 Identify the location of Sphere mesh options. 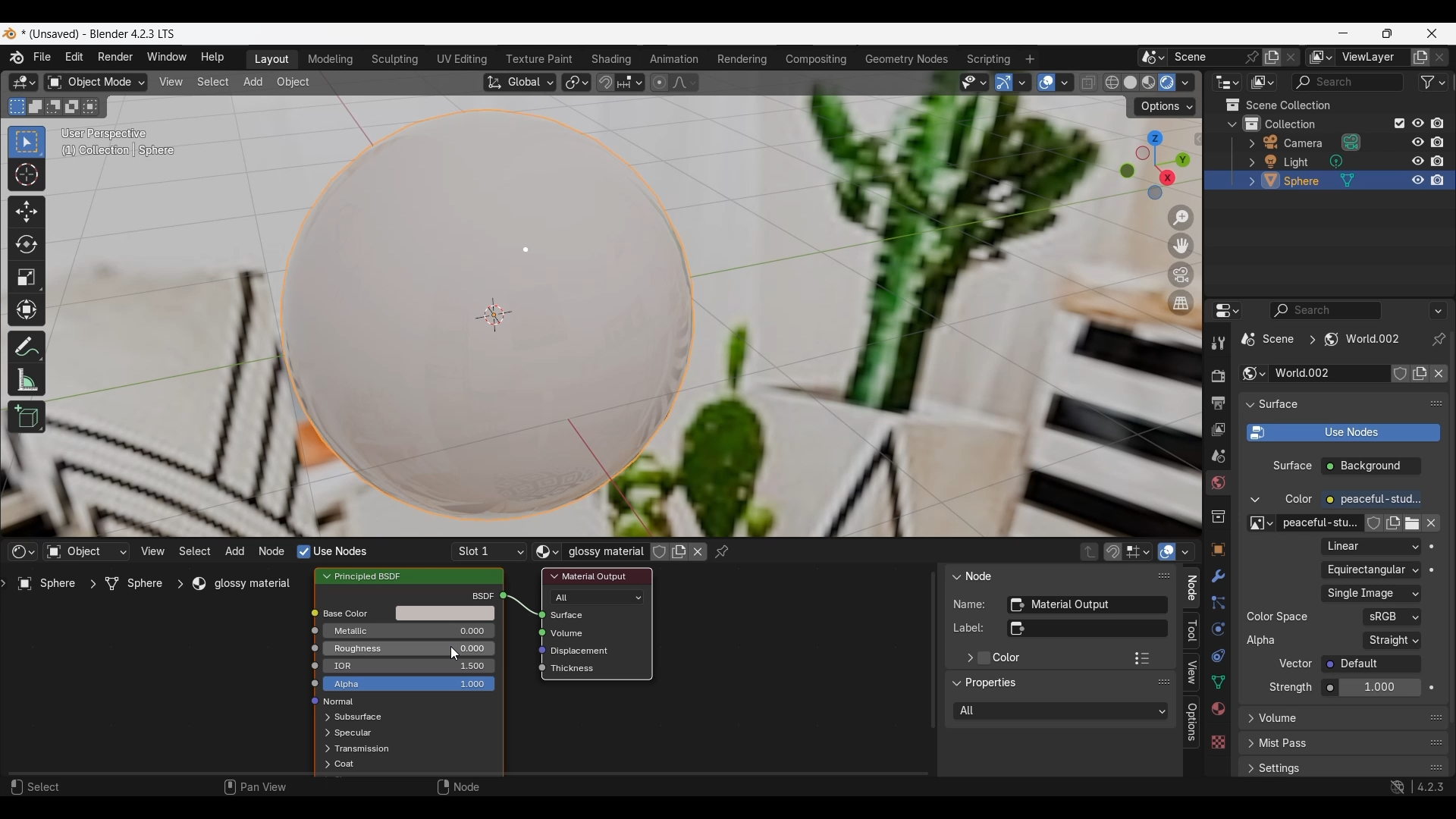
(1348, 180).